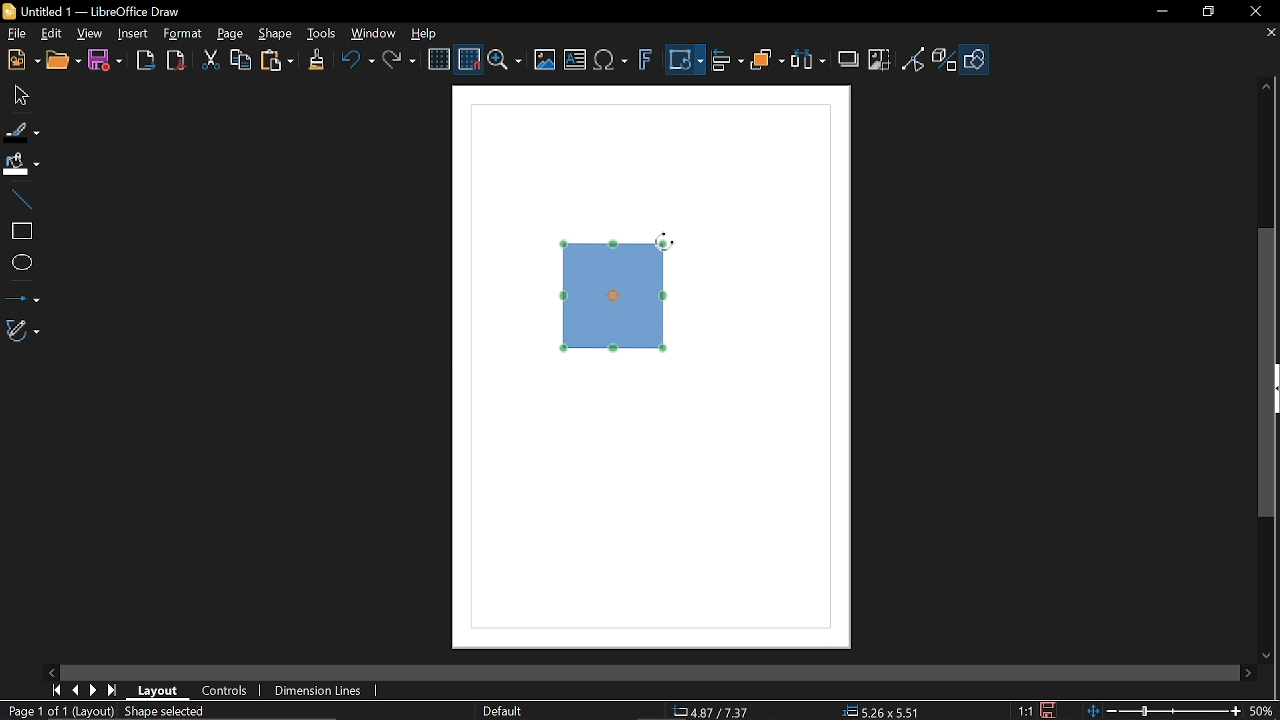 This screenshot has height=720, width=1280. What do you see at coordinates (879, 60) in the screenshot?
I see `Crop` at bounding box center [879, 60].